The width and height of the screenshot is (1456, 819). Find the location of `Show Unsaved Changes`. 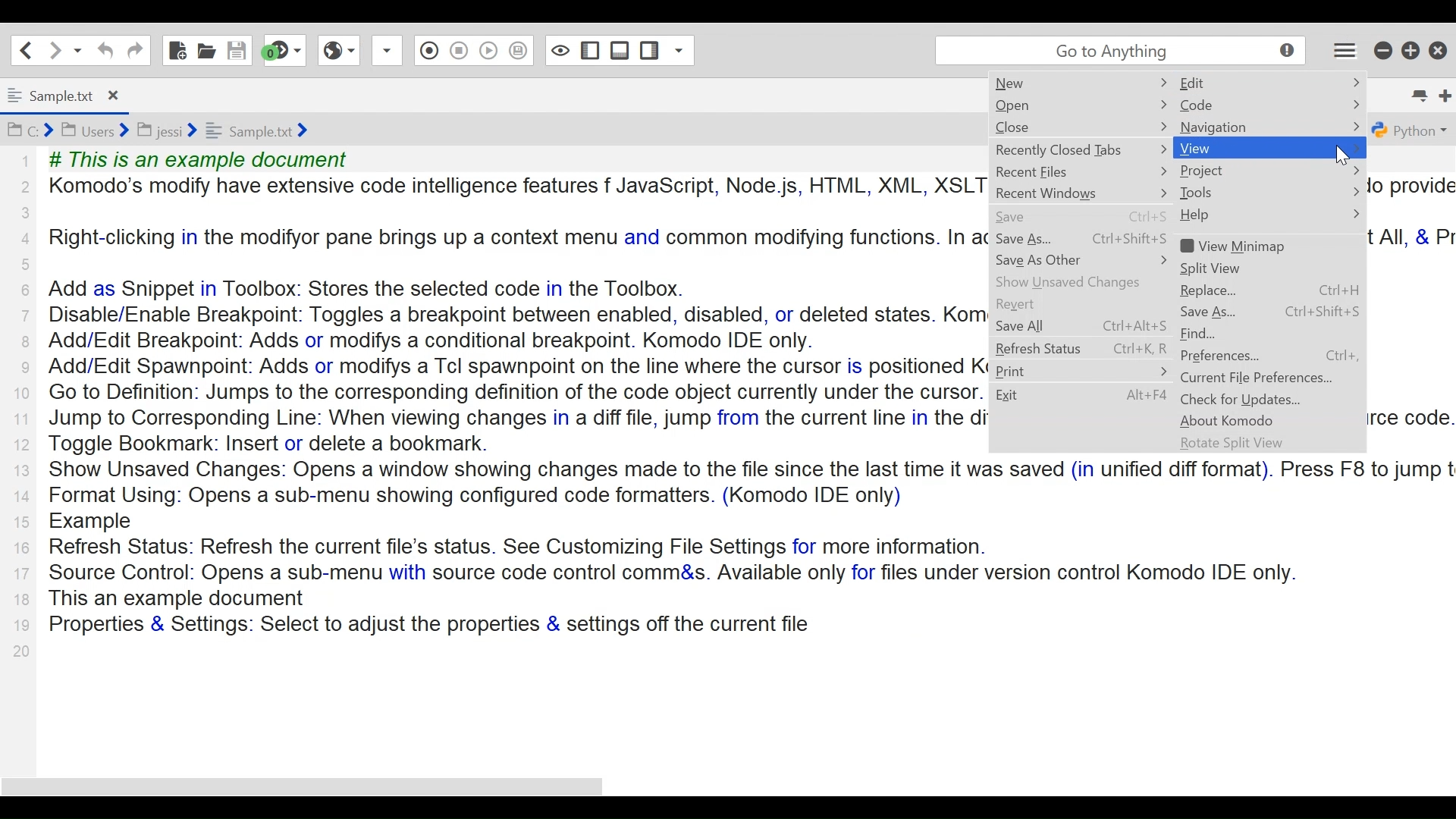

Show Unsaved Changes is located at coordinates (1080, 281).